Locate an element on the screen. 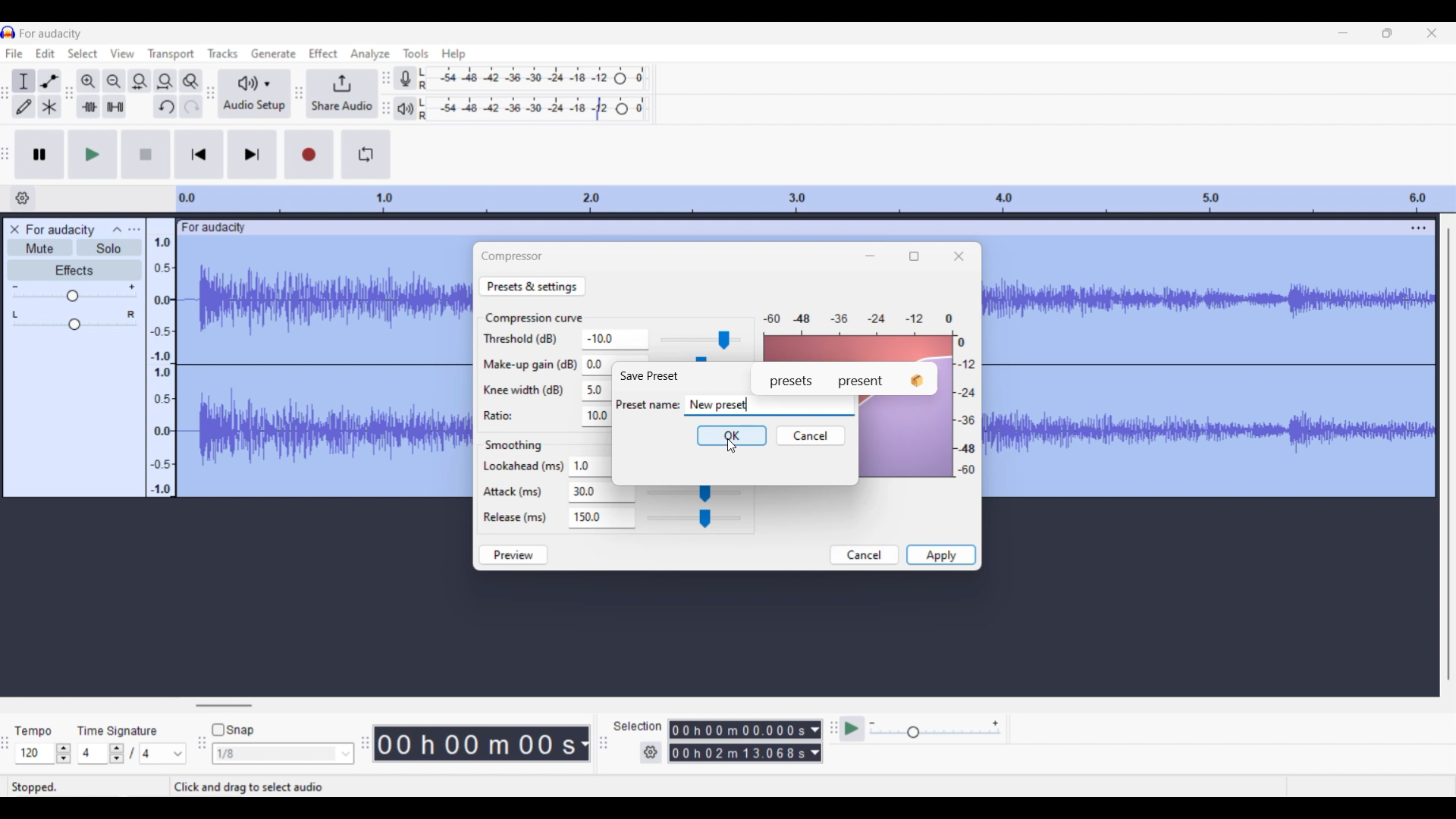  Window name is located at coordinates (649, 376).